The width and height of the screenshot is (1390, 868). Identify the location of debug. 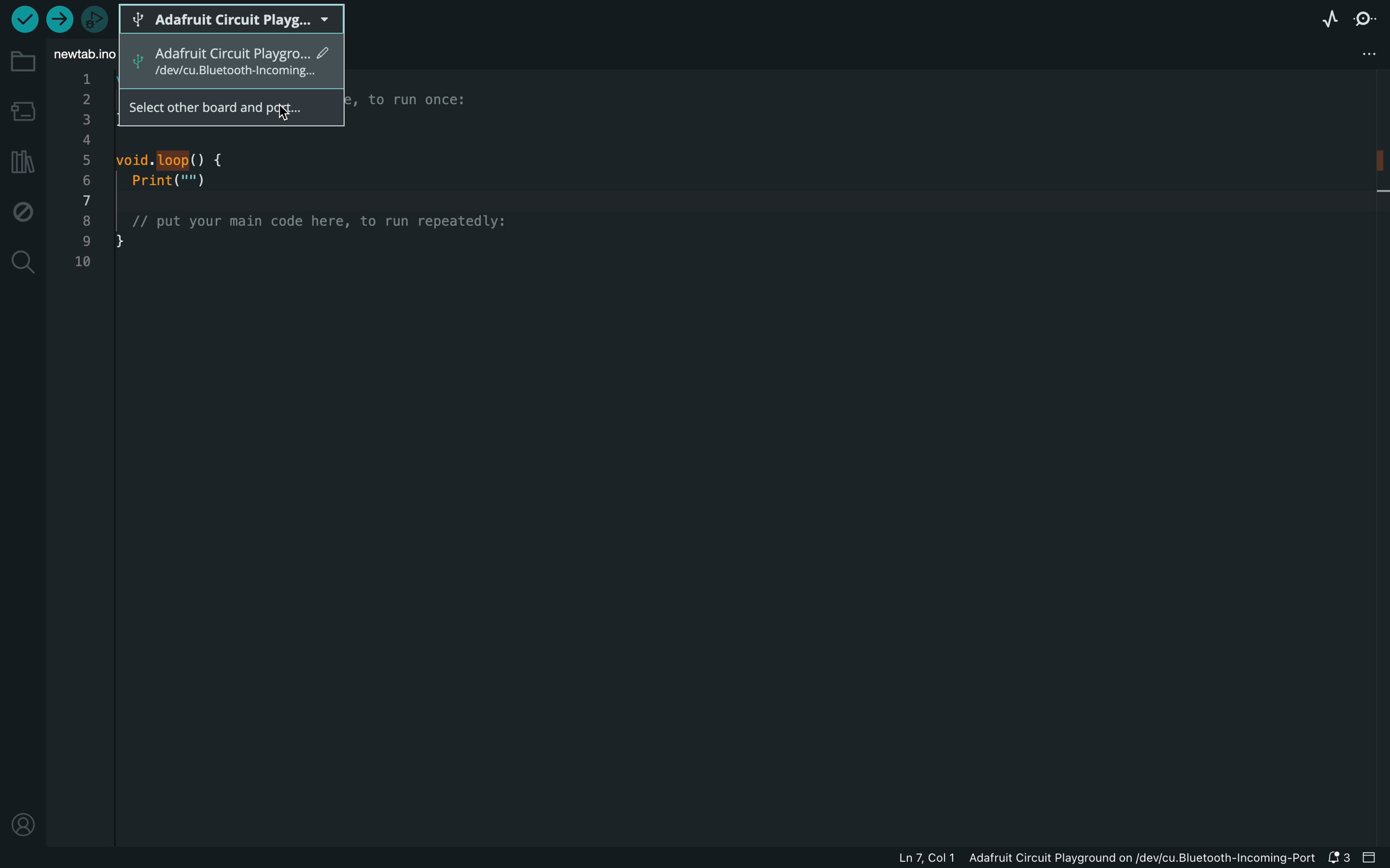
(22, 209).